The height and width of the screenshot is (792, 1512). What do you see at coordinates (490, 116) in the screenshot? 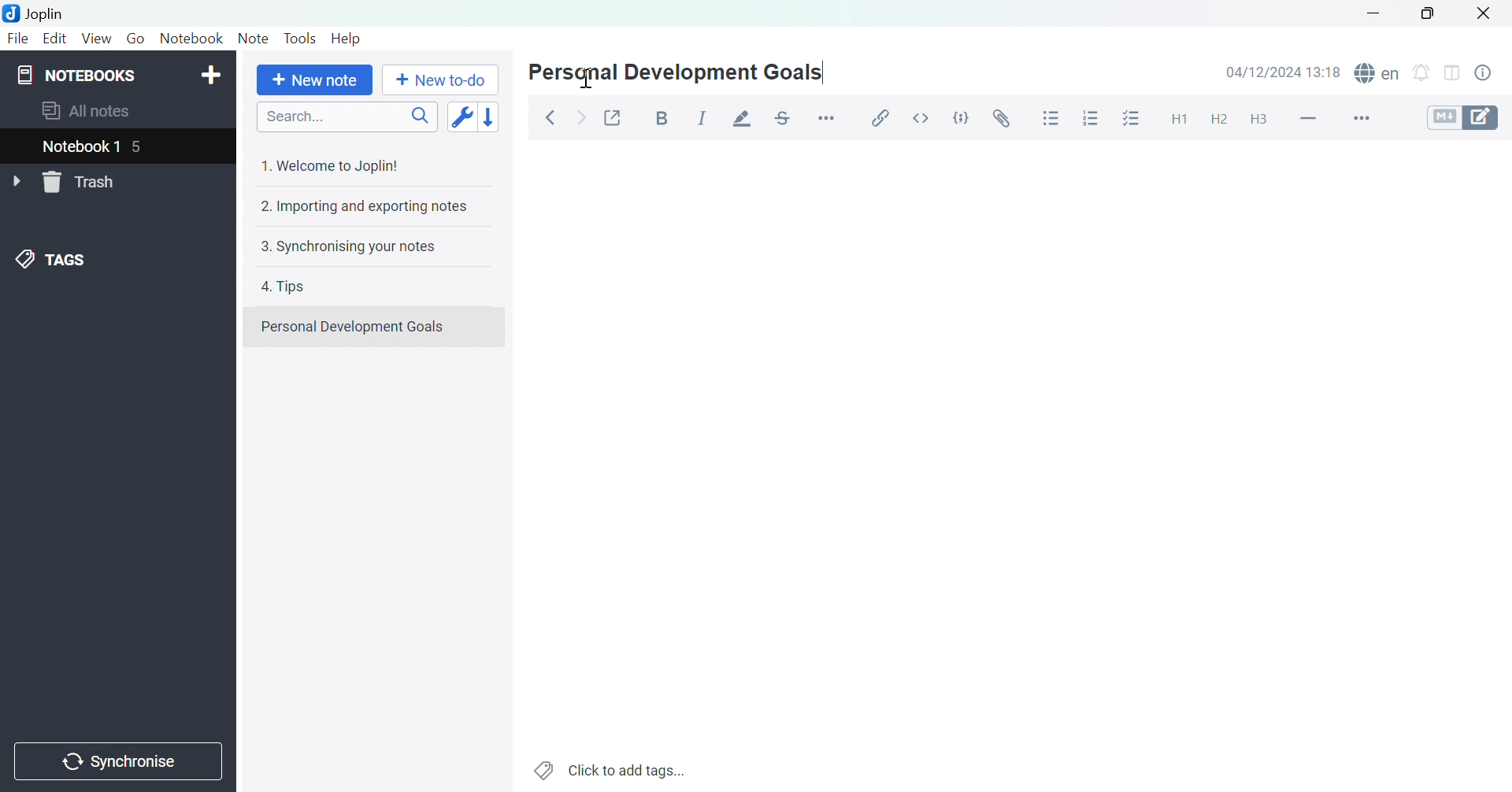
I see `Reverse sort order` at bounding box center [490, 116].